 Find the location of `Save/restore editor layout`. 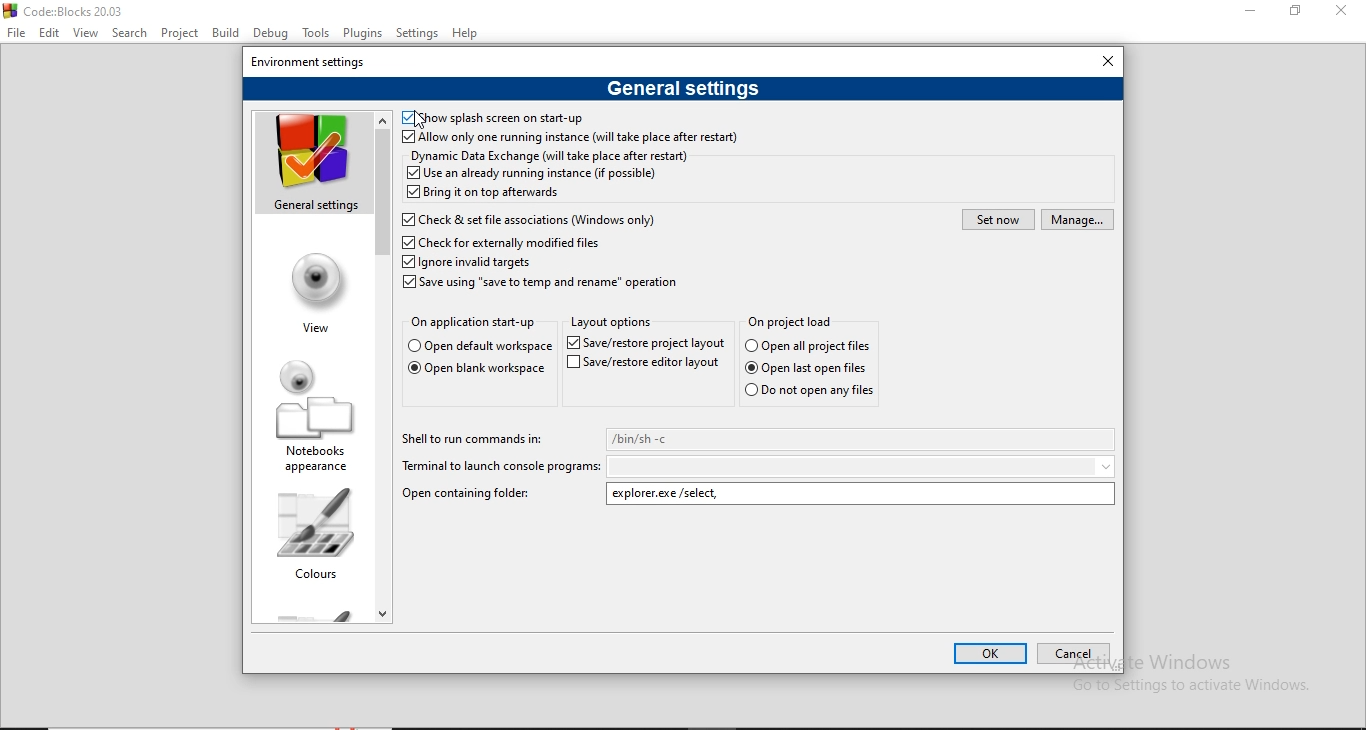

Save/restore editor layout is located at coordinates (644, 364).